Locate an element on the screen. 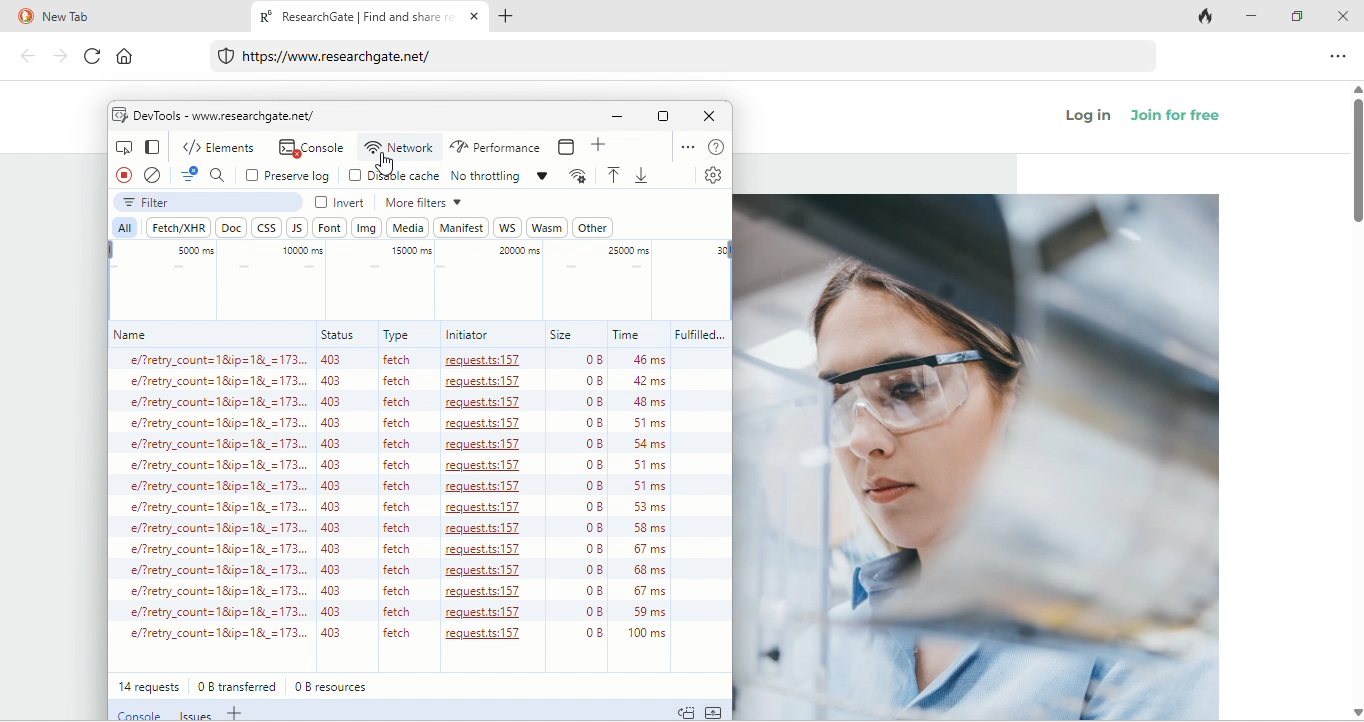 Image resolution: width=1364 pixels, height=722 pixels. clear is located at coordinates (152, 175).